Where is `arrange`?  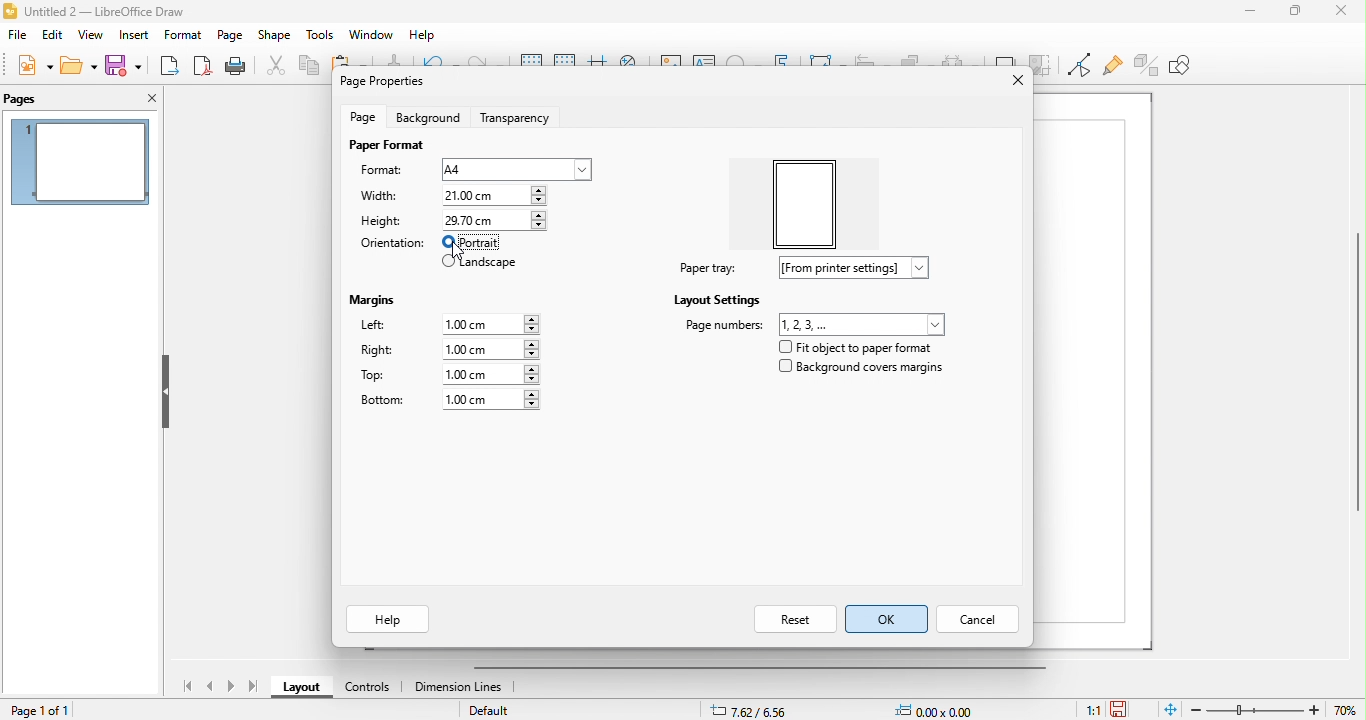
arrange is located at coordinates (916, 62).